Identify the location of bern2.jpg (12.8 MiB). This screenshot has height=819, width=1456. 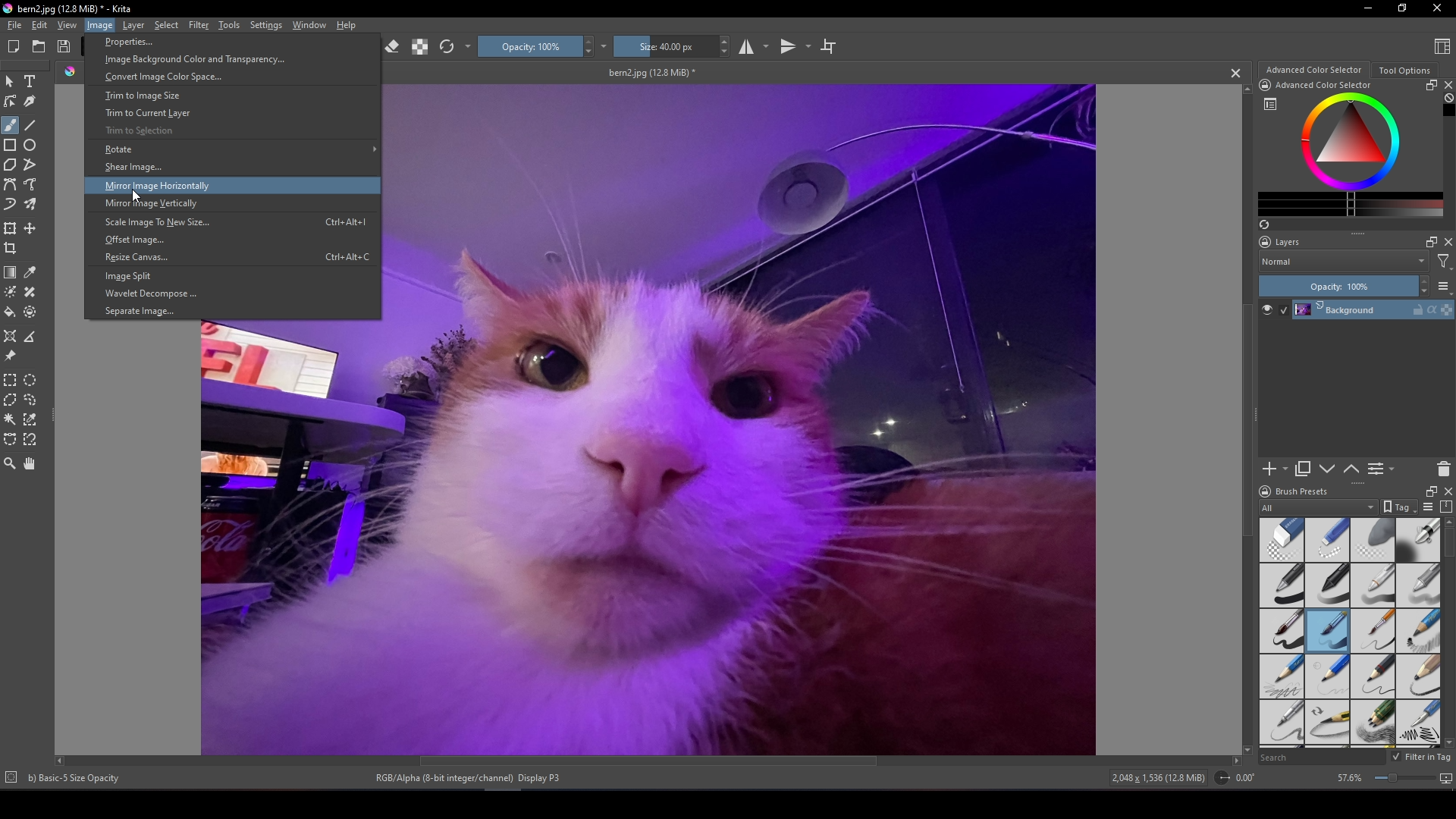
(651, 73).